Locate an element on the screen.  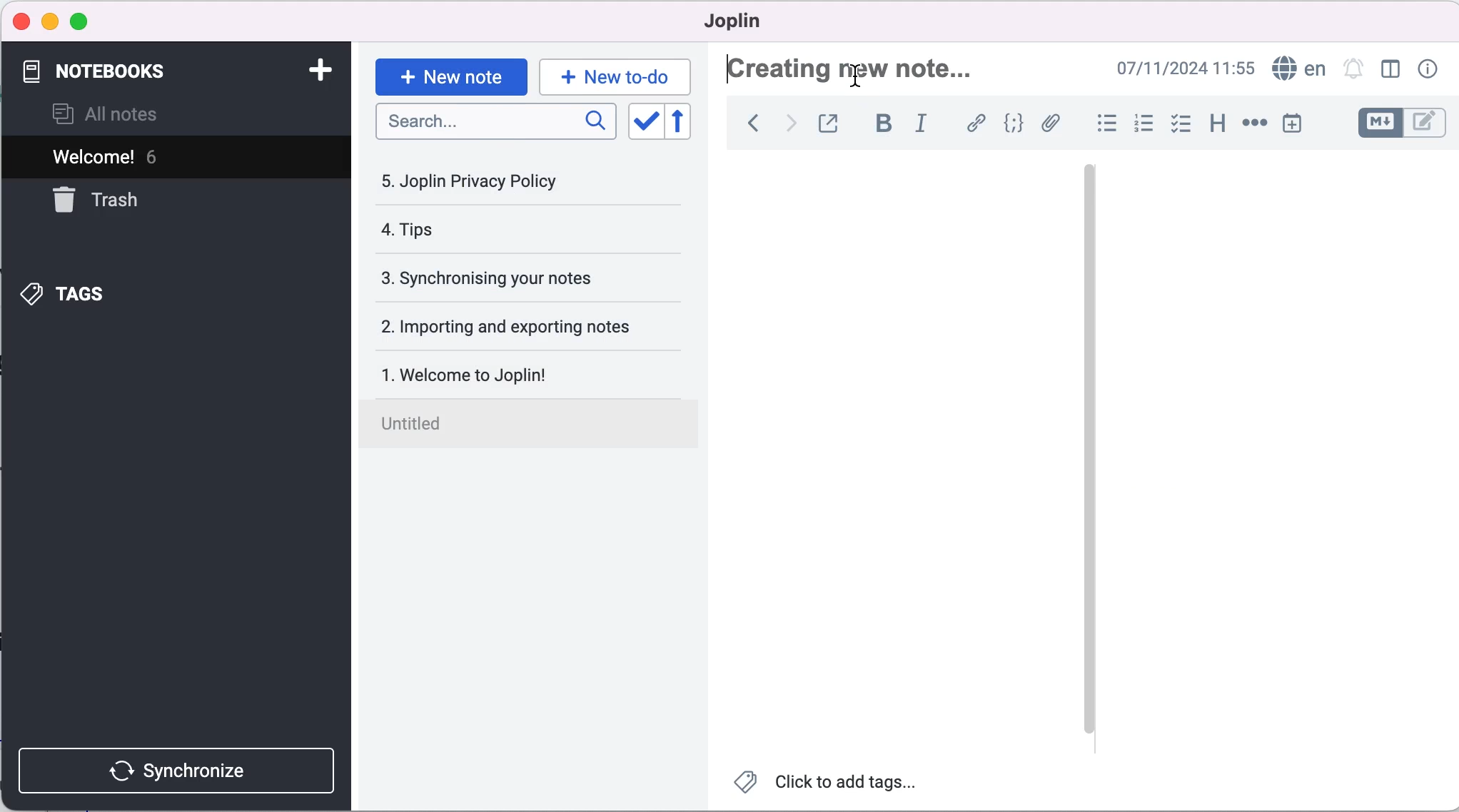
synchronising your notes is located at coordinates (512, 279).